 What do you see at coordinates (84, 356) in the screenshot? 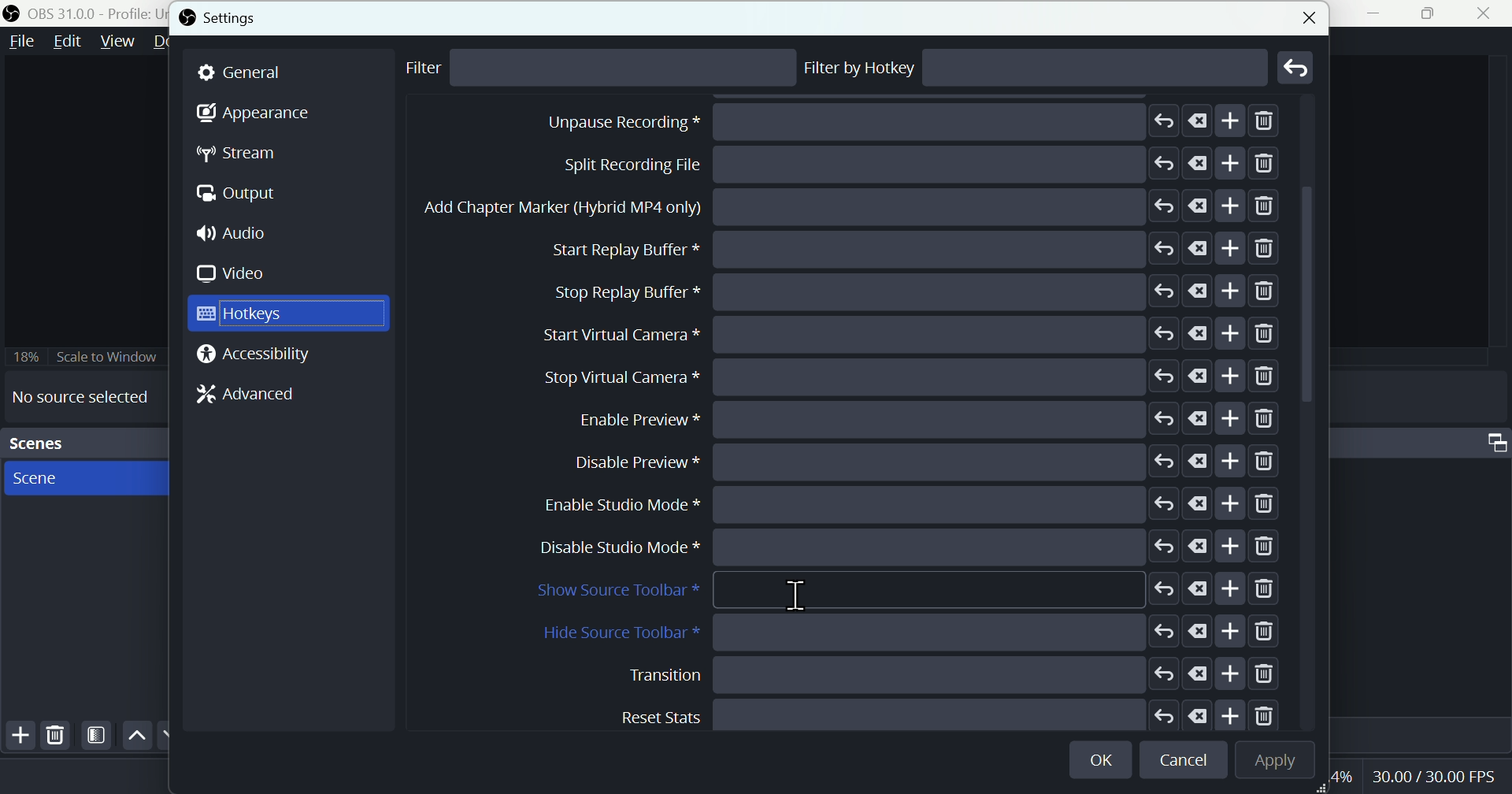
I see `Scale to window` at bounding box center [84, 356].